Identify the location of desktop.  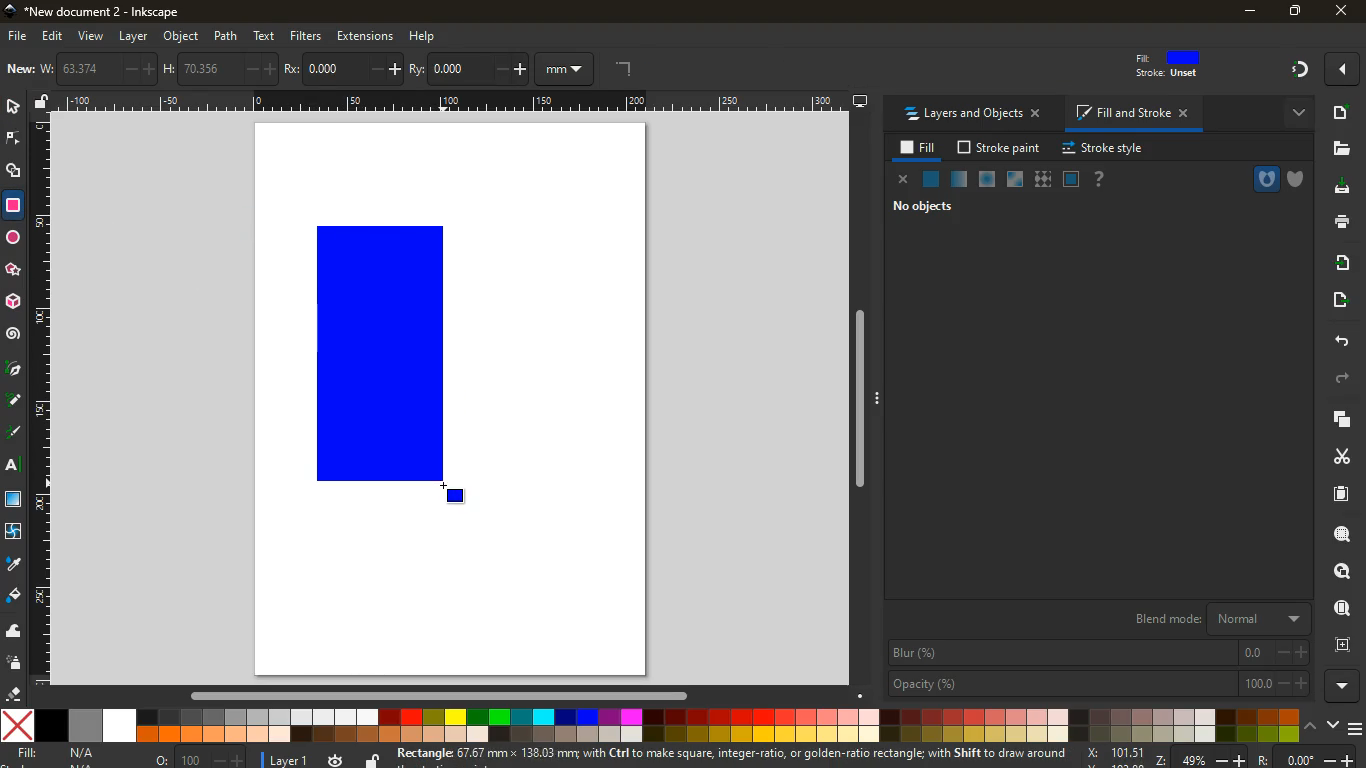
(860, 101).